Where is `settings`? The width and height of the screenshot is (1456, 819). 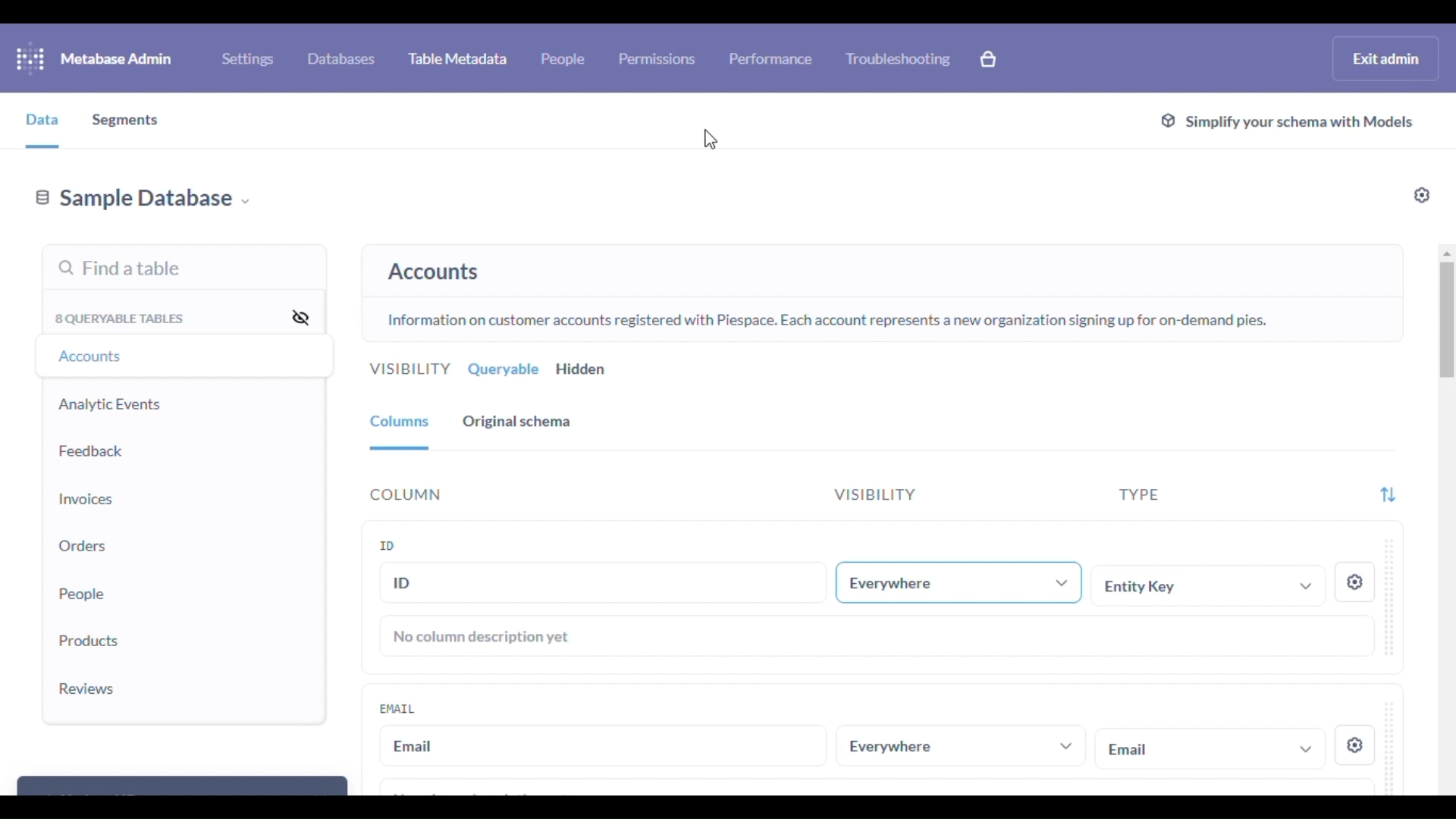
settings is located at coordinates (247, 59).